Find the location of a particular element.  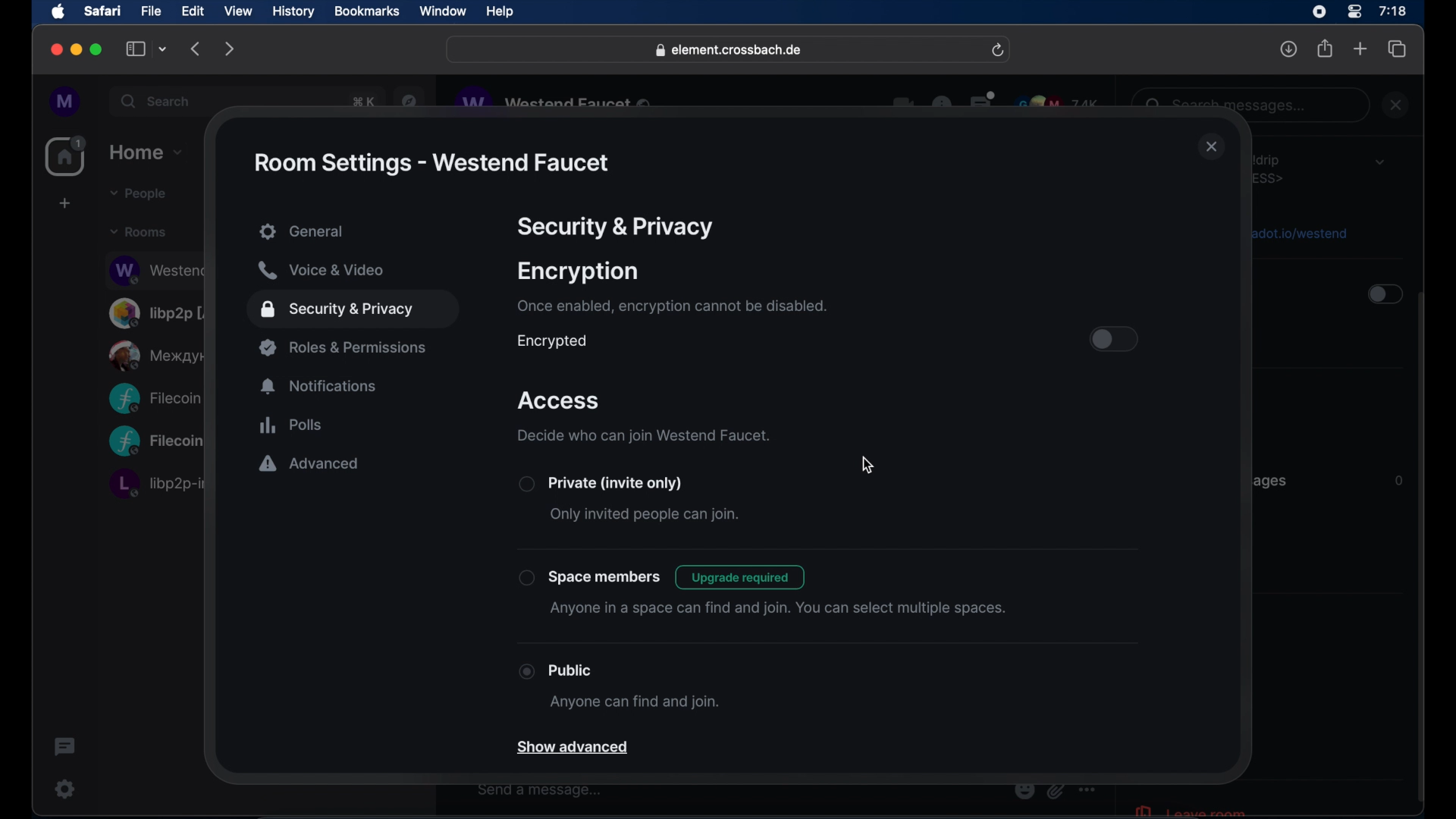

private (invite only) is located at coordinates (601, 484).